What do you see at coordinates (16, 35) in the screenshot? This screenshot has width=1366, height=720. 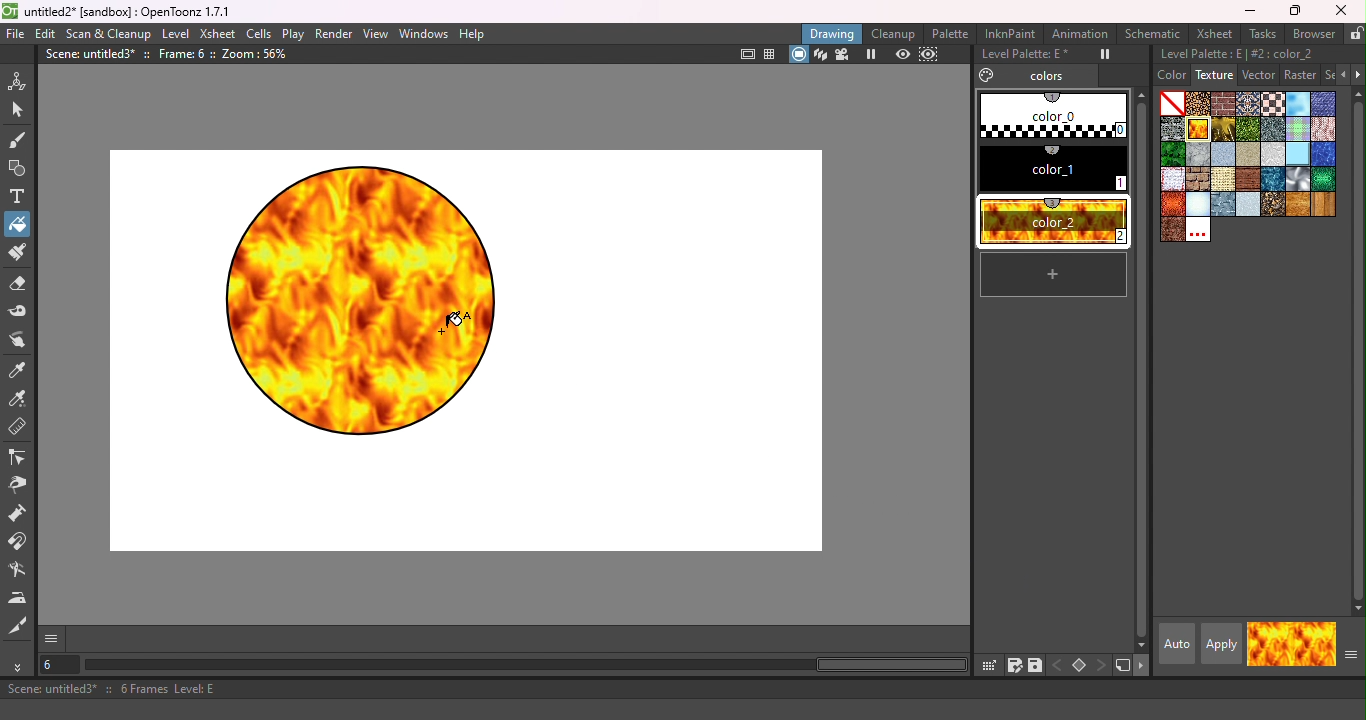 I see `File` at bounding box center [16, 35].